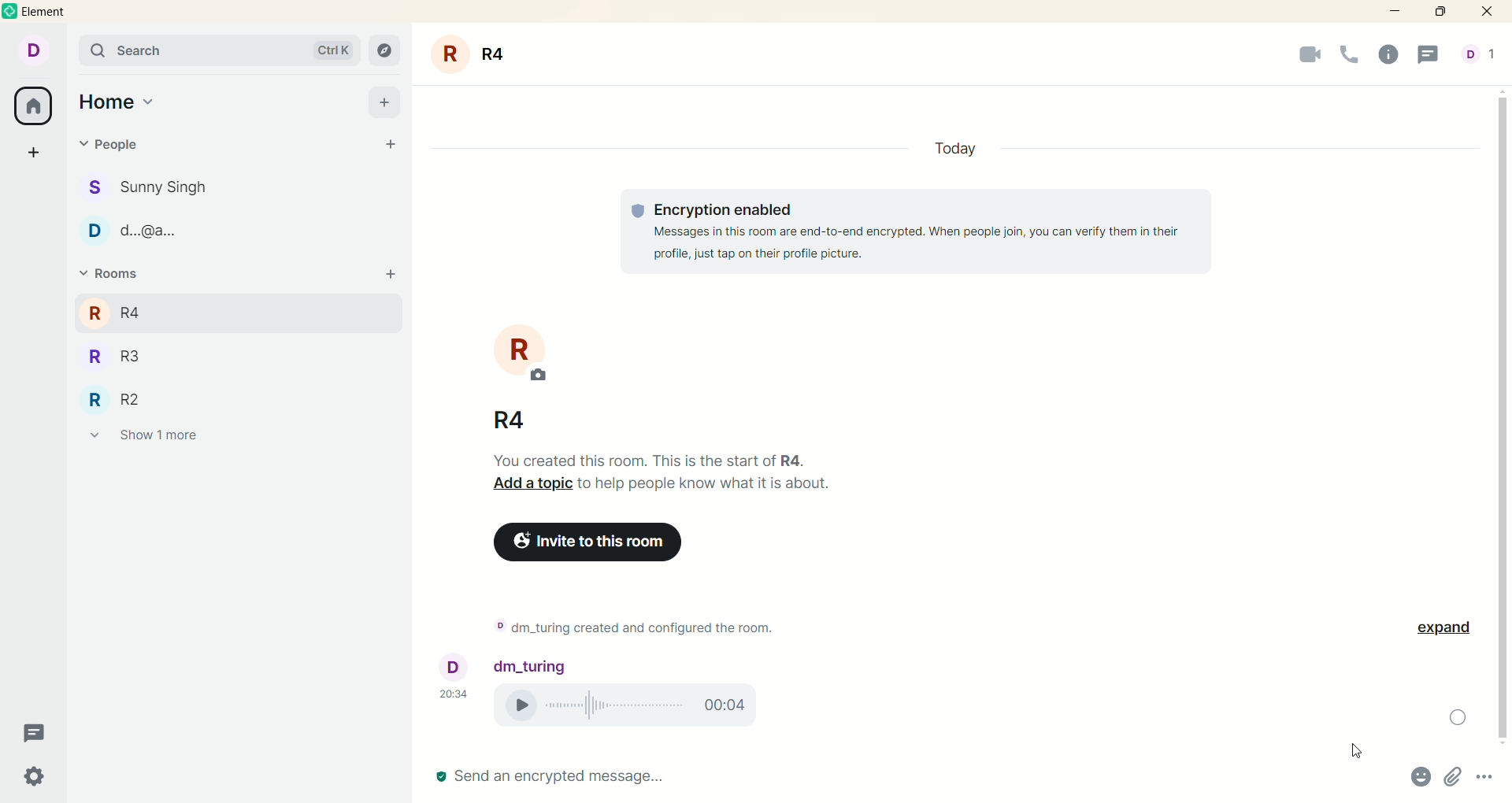 This screenshot has width=1512, height=803. What do you see at coordinates (386, 50) in the screenshot?
I see `explore rooms` at bounding box center [386, 50].